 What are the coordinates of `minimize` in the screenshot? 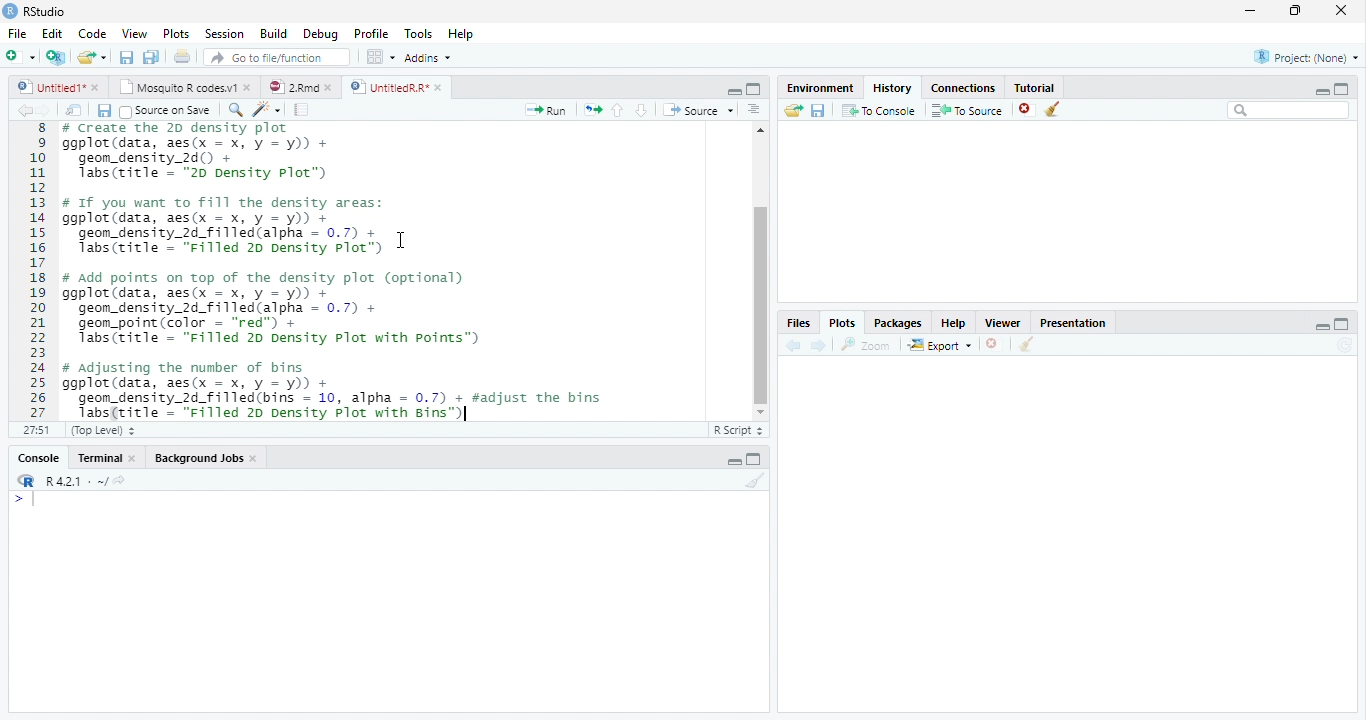 It's located at (1249, 12).